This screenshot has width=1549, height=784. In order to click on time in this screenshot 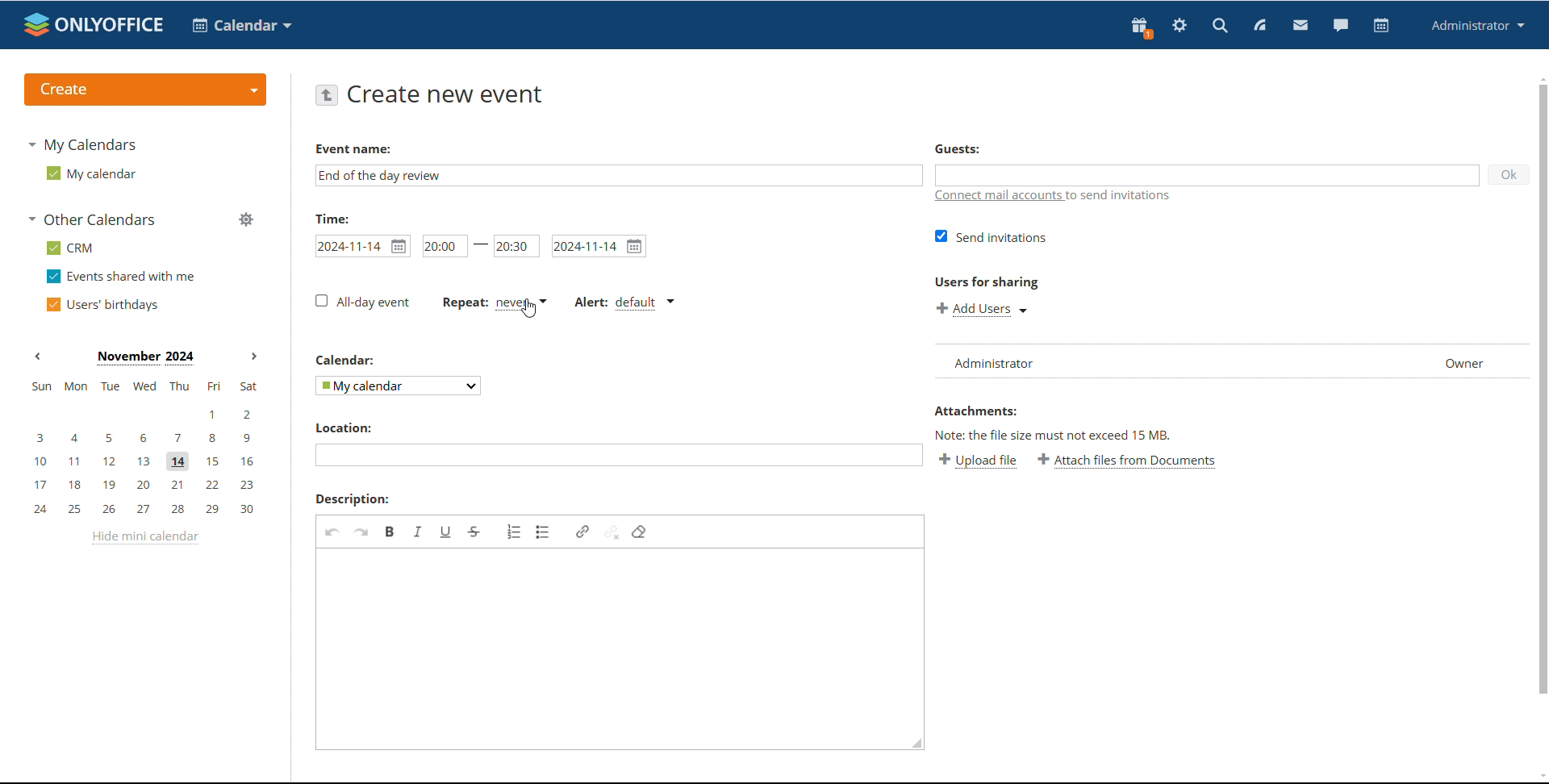, I will do `click(332, 218)`.